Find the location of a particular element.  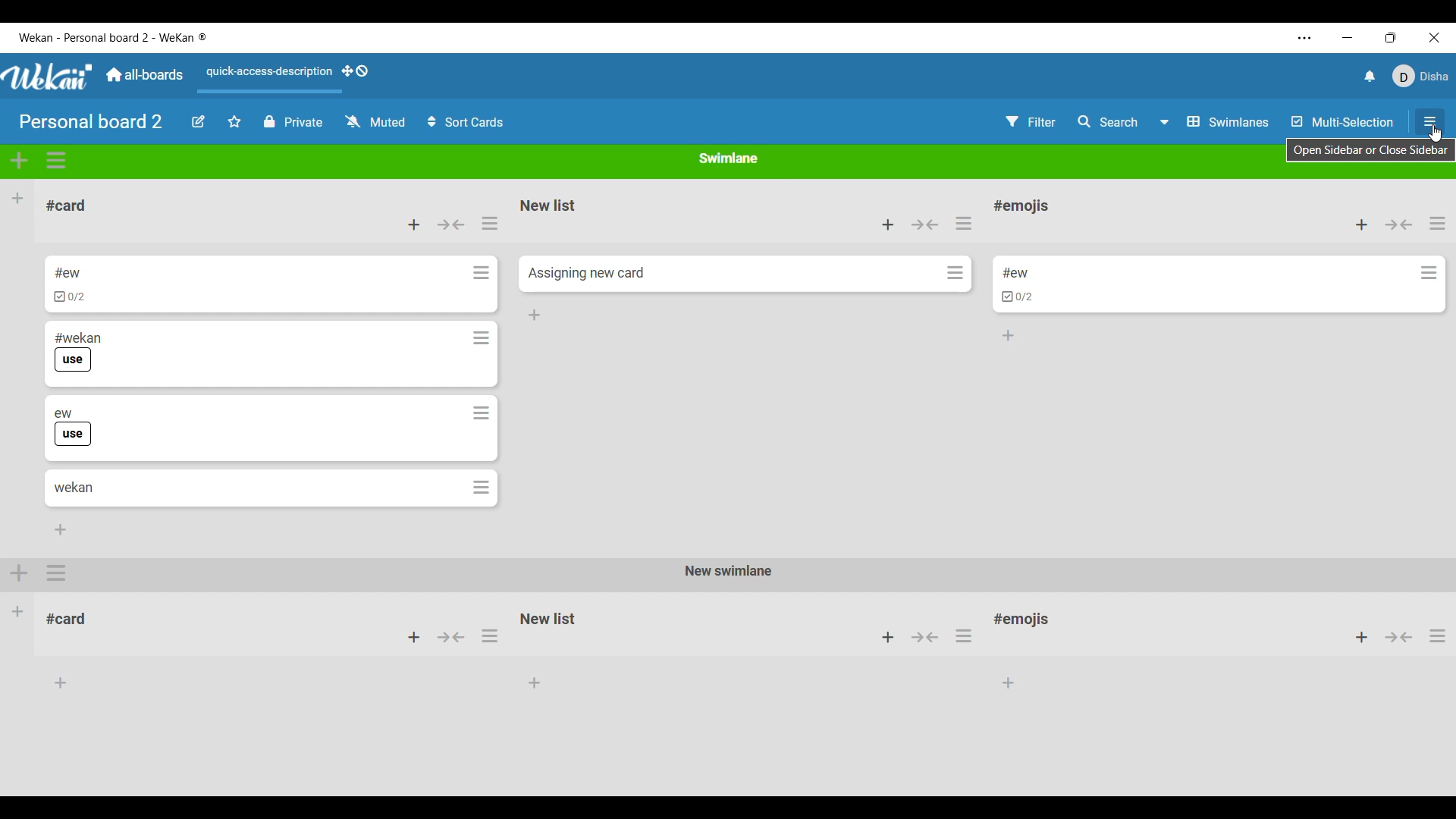

Add card to top of list is located at coordinates (888, 224).